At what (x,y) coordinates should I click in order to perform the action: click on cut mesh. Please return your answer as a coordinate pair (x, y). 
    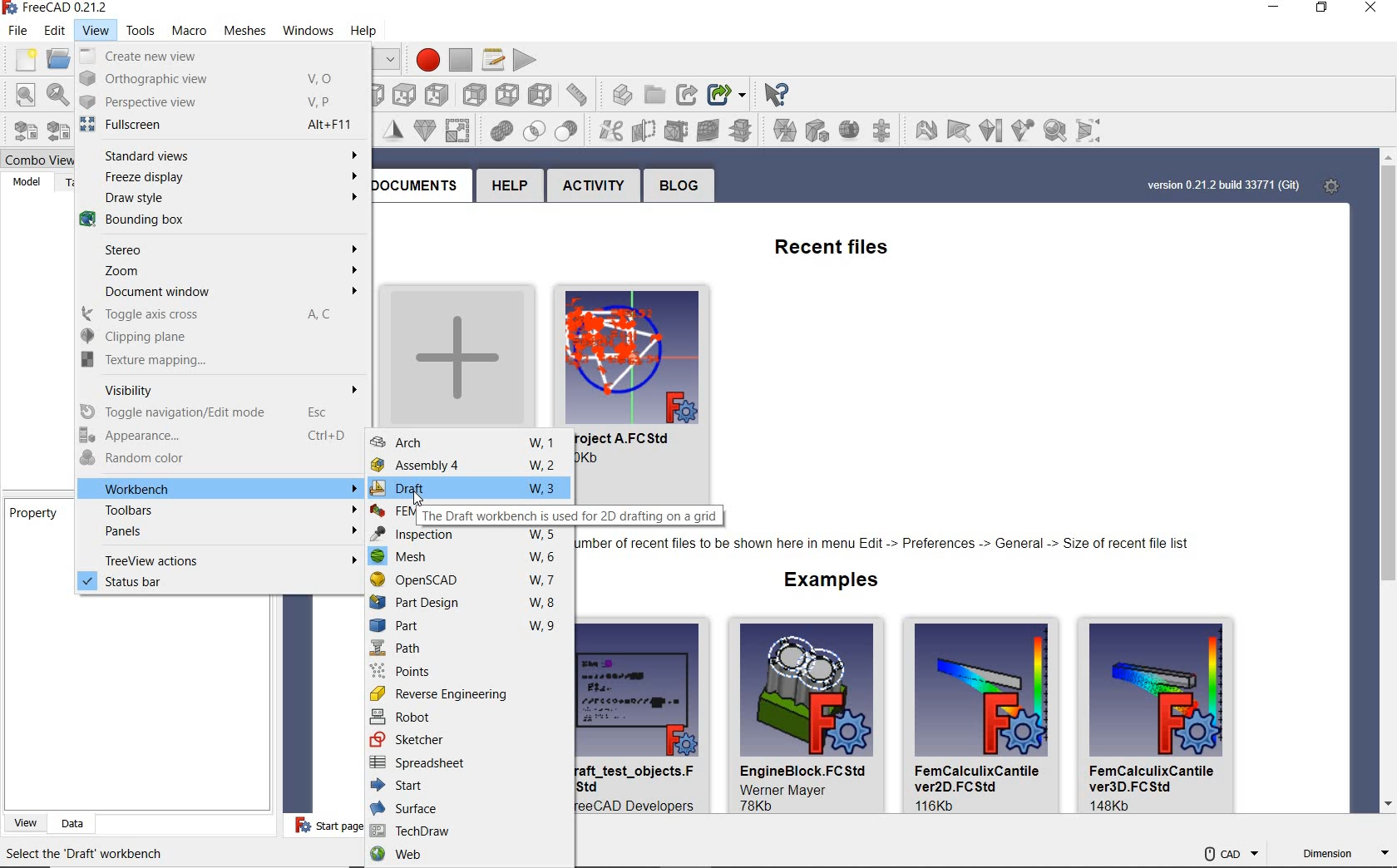
    Looking at the image, I should click on (575, 131).